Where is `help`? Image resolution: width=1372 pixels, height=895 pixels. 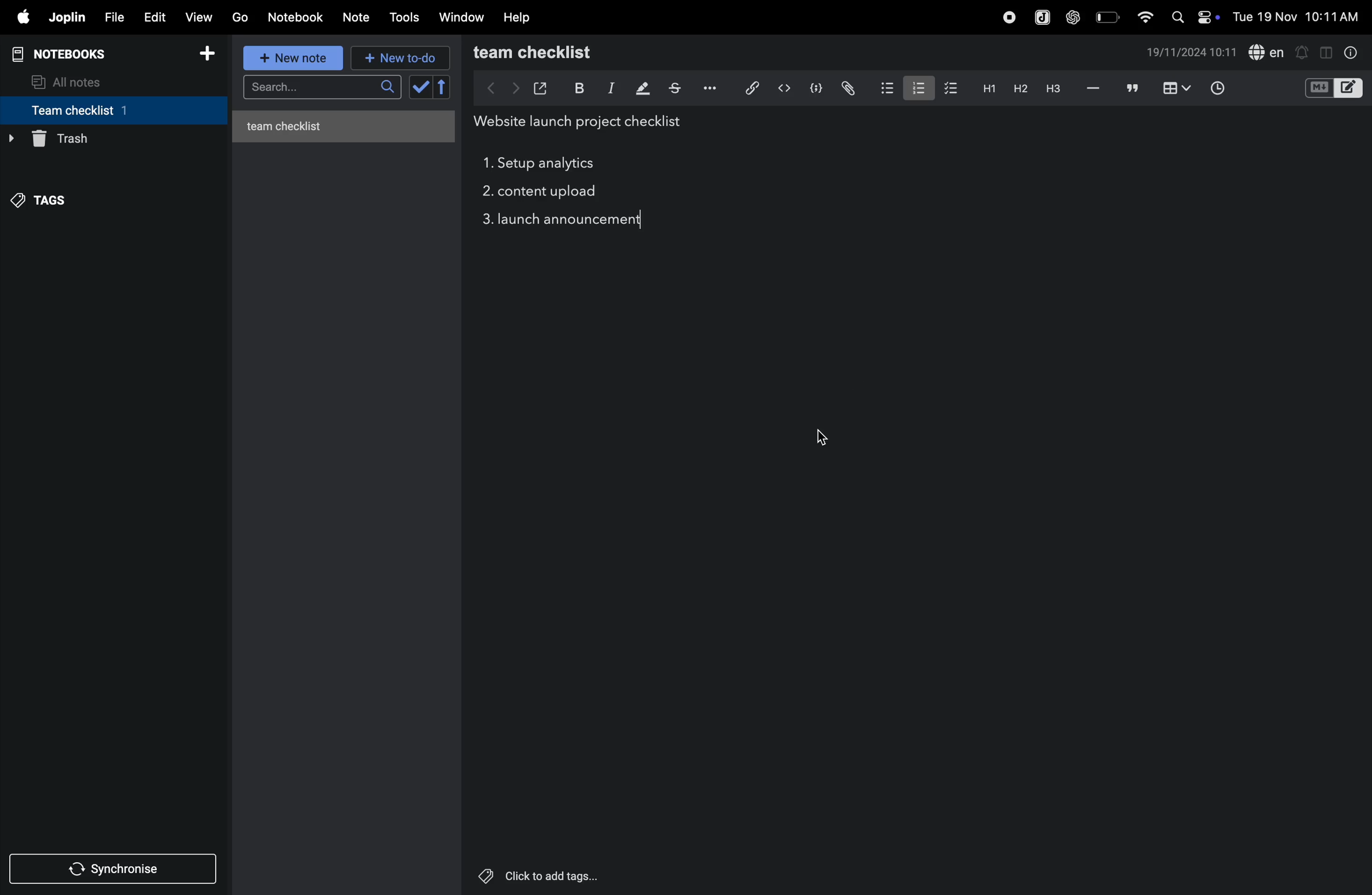
help is located at coordinates (520, 17).